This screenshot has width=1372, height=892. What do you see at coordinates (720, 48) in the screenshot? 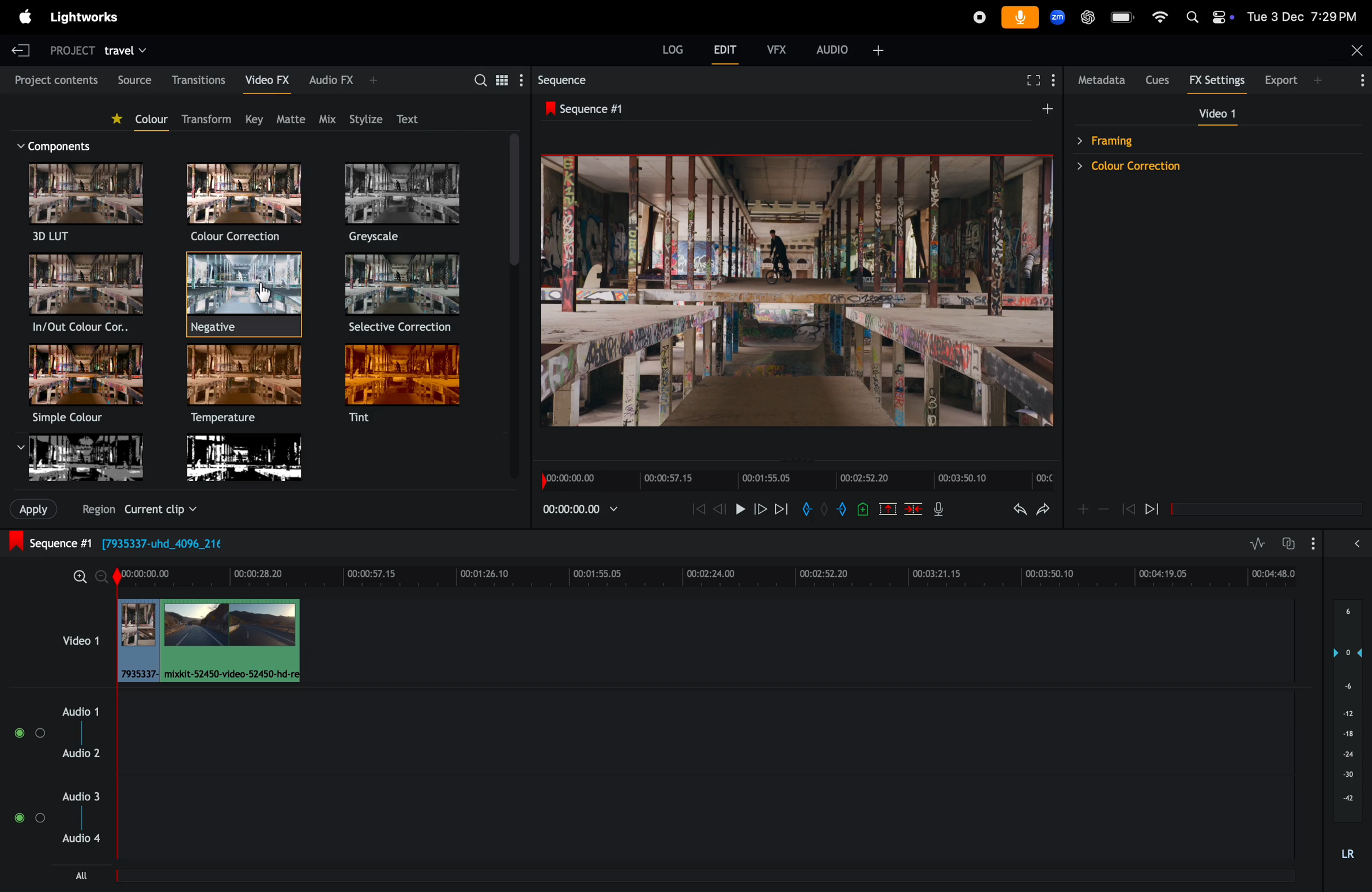
I see `Edit` at bounding box center [720, 48].